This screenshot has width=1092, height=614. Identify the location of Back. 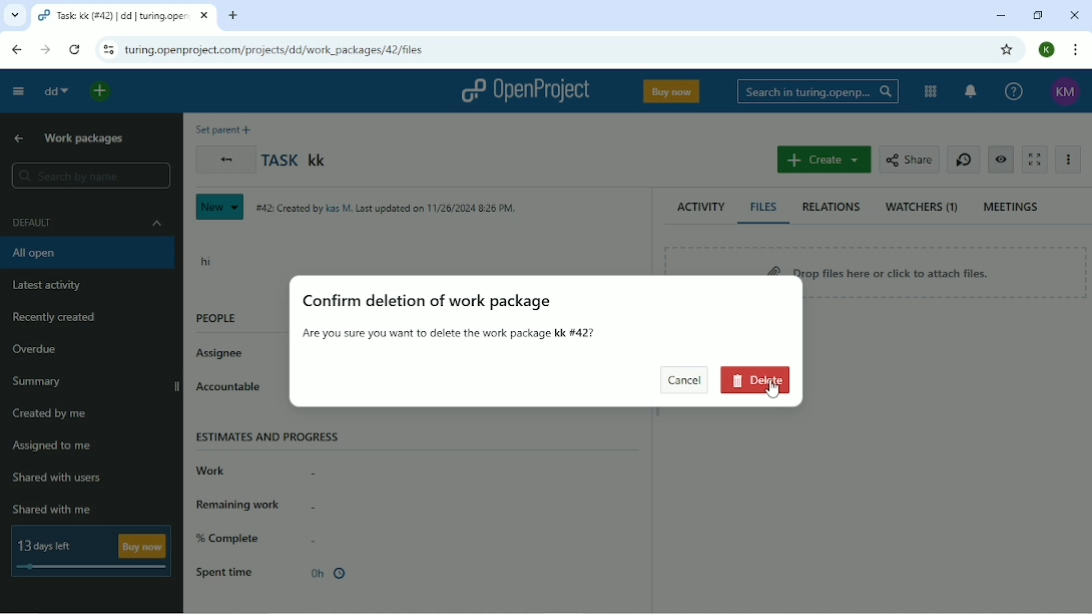
(225, 159).